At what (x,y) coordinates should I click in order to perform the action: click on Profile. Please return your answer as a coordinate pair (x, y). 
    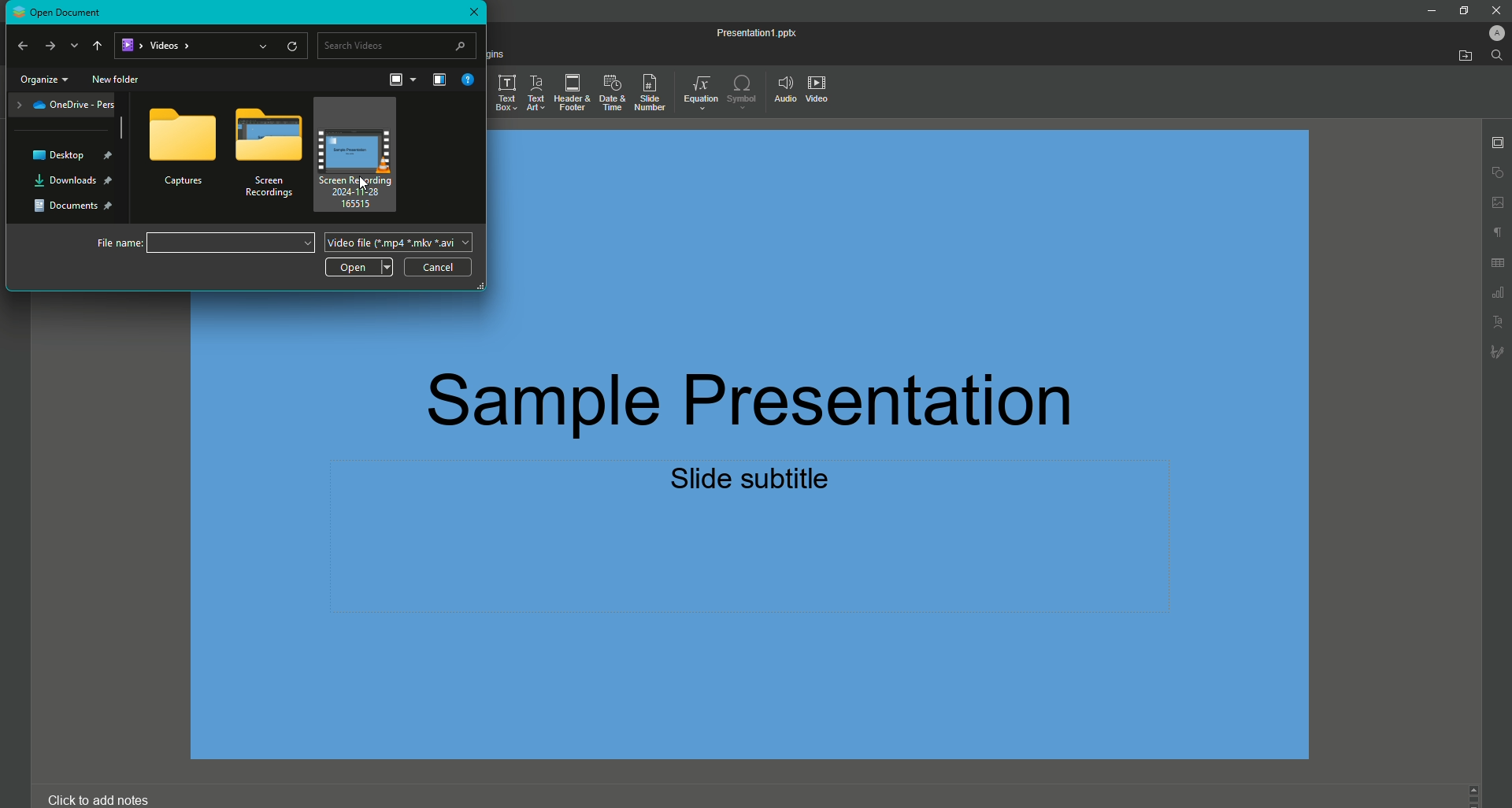
    Looking at the image, I should click on (1491, 32).